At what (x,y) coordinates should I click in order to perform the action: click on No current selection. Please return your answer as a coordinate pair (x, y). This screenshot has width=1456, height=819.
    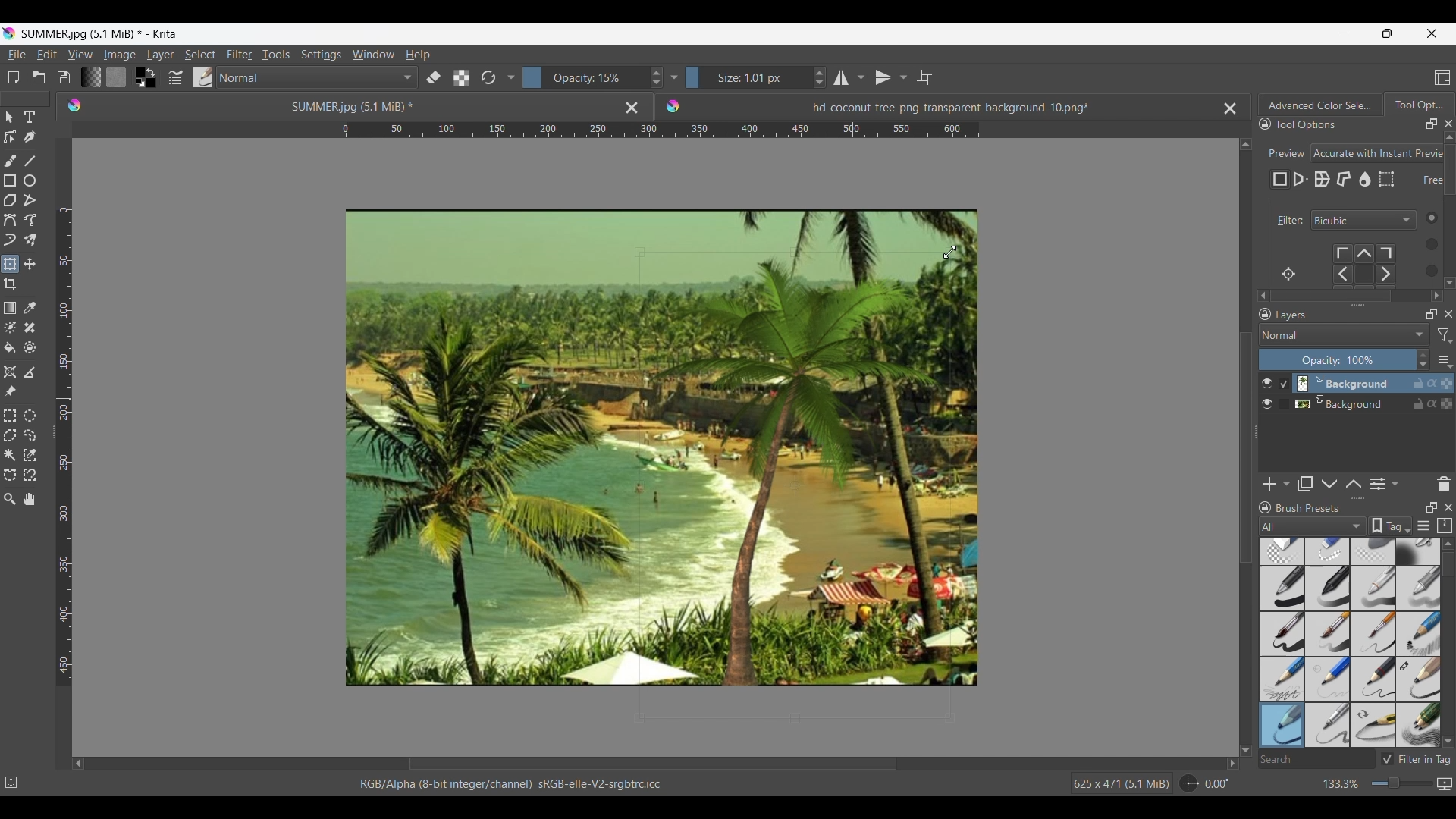
    Looking at the image, I should click on (15, 780).